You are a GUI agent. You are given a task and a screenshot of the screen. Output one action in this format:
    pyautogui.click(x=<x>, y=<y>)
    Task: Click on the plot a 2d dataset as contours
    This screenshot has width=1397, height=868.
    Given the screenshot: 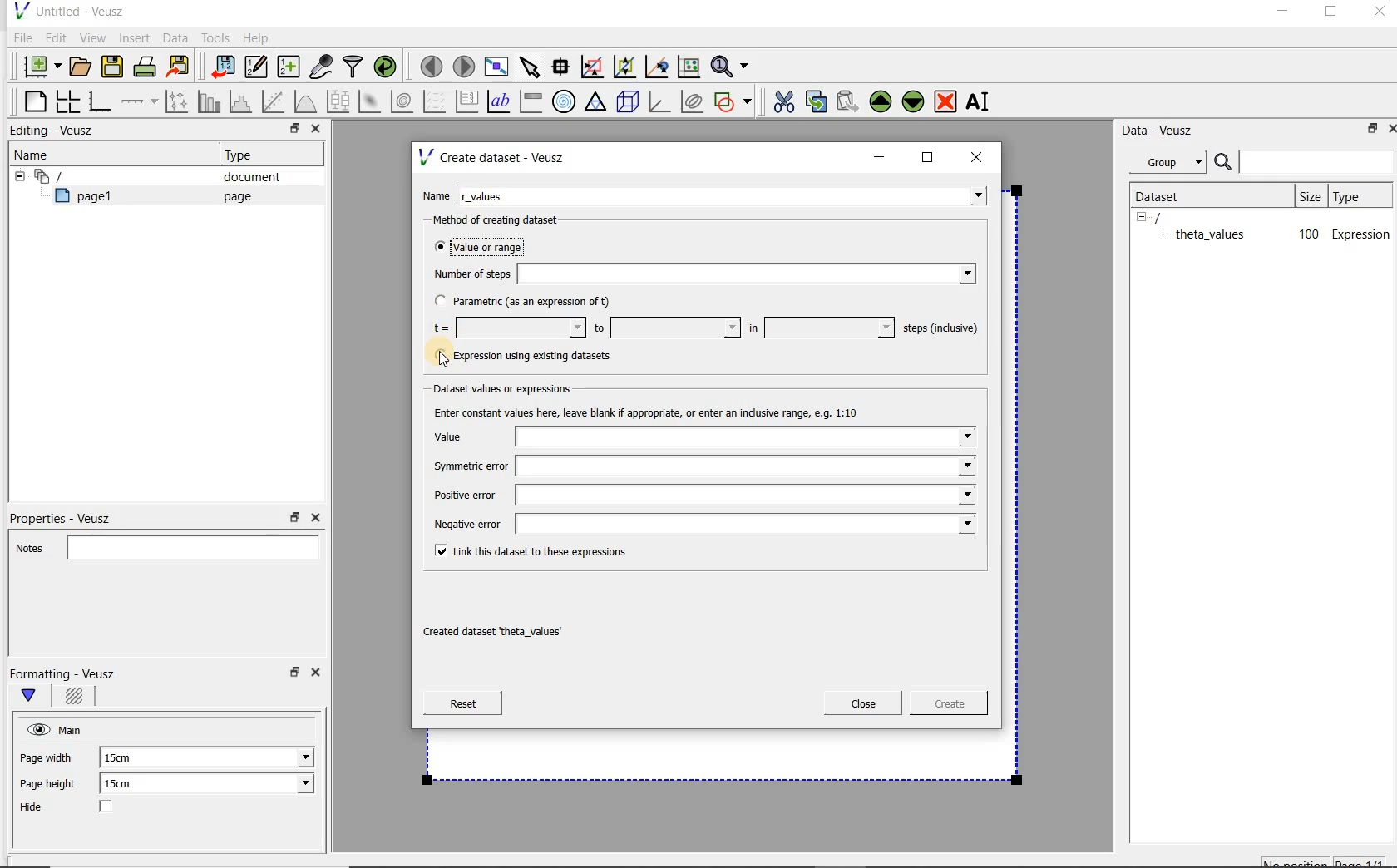 What is the action you would take?
    pyautogui.click(x=403, y=101)
    